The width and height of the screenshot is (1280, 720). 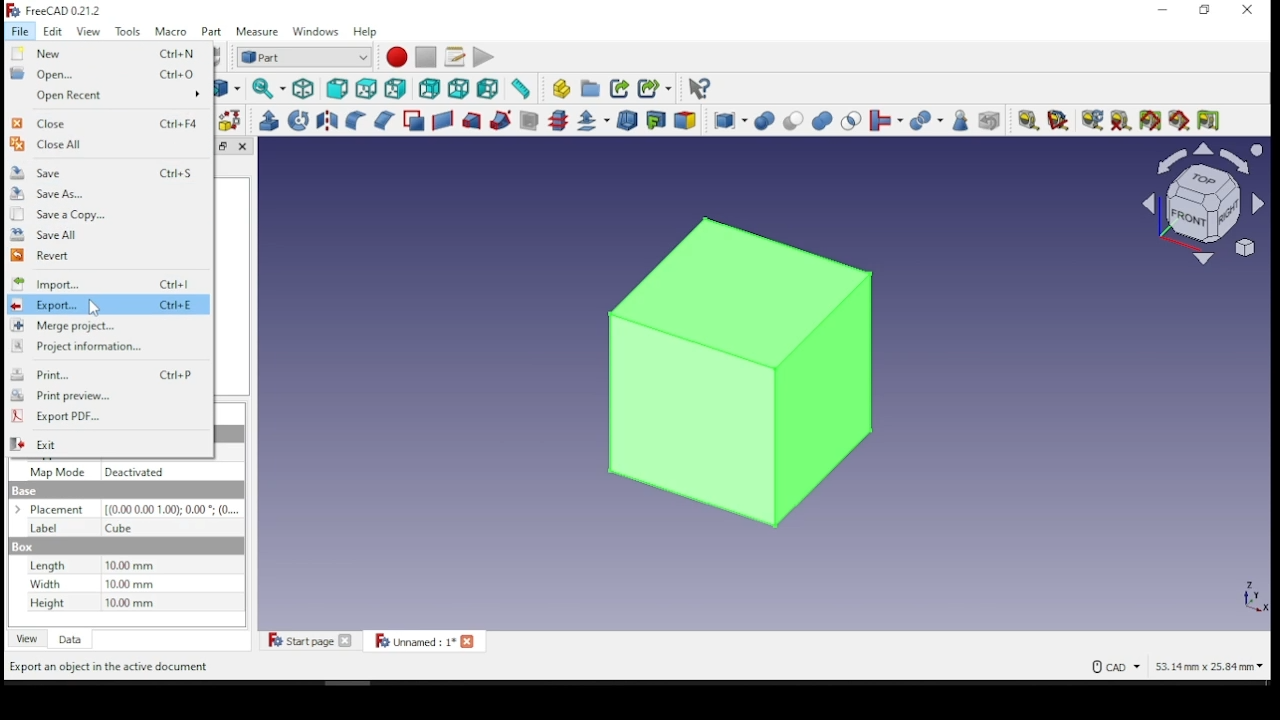 I want to click on create part, so click(x=559, y=89).